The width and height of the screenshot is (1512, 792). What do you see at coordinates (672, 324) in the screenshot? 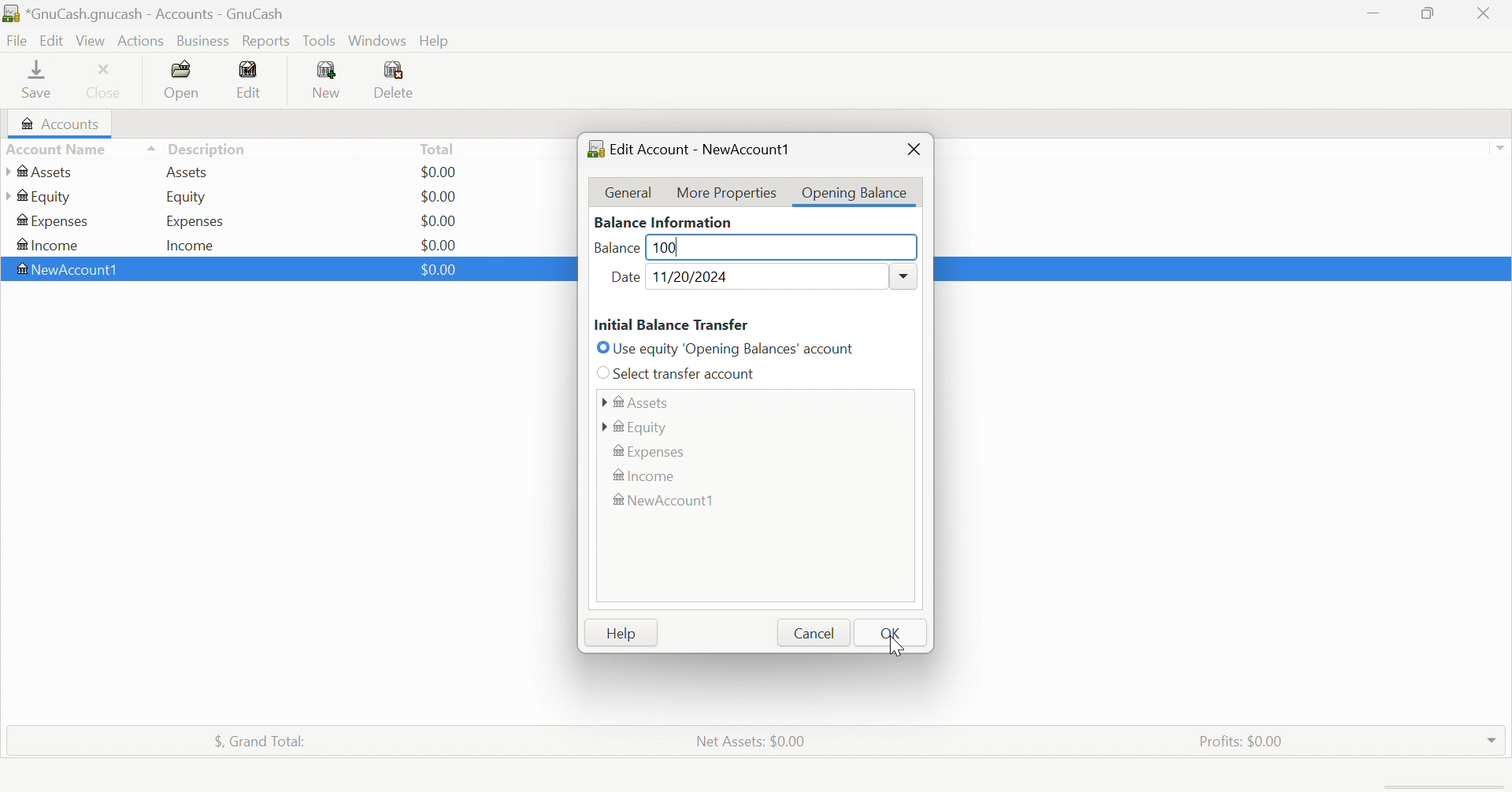
I see `Initial Balance Transfer` at bounding box center [672, 324].